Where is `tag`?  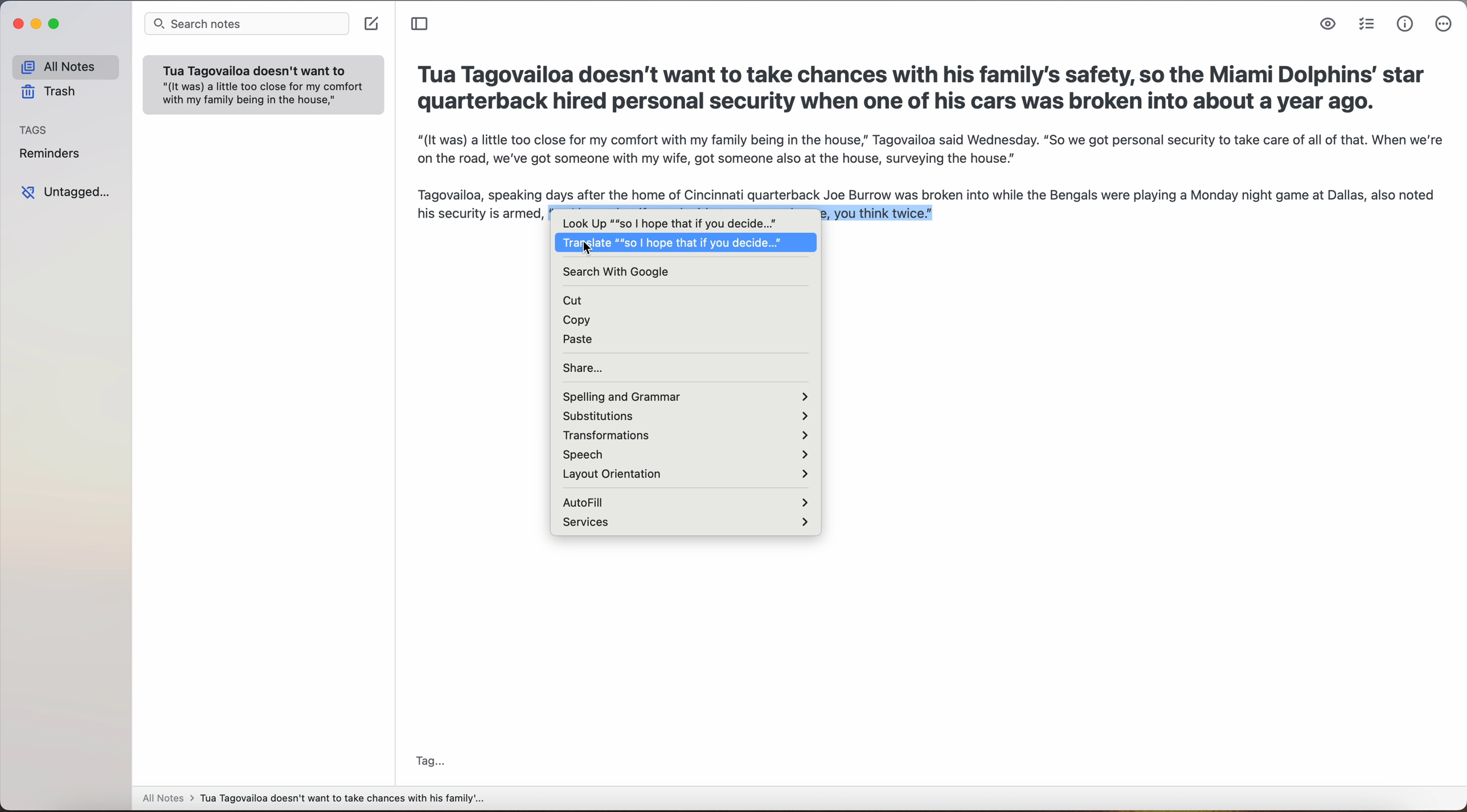
tag is located at coordinates (428, 761).